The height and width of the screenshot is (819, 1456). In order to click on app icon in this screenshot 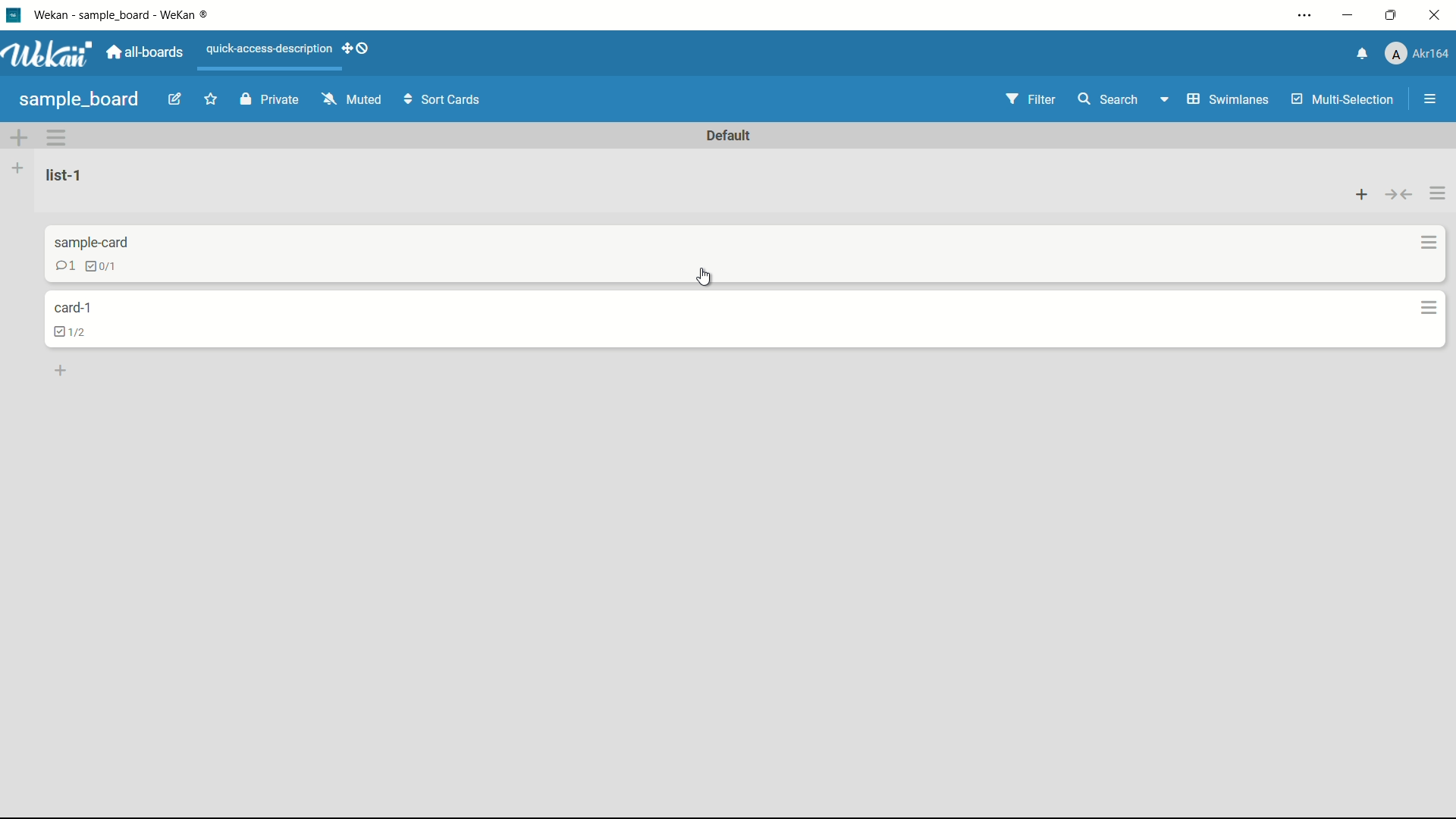, I will do `click(15, 14)`.